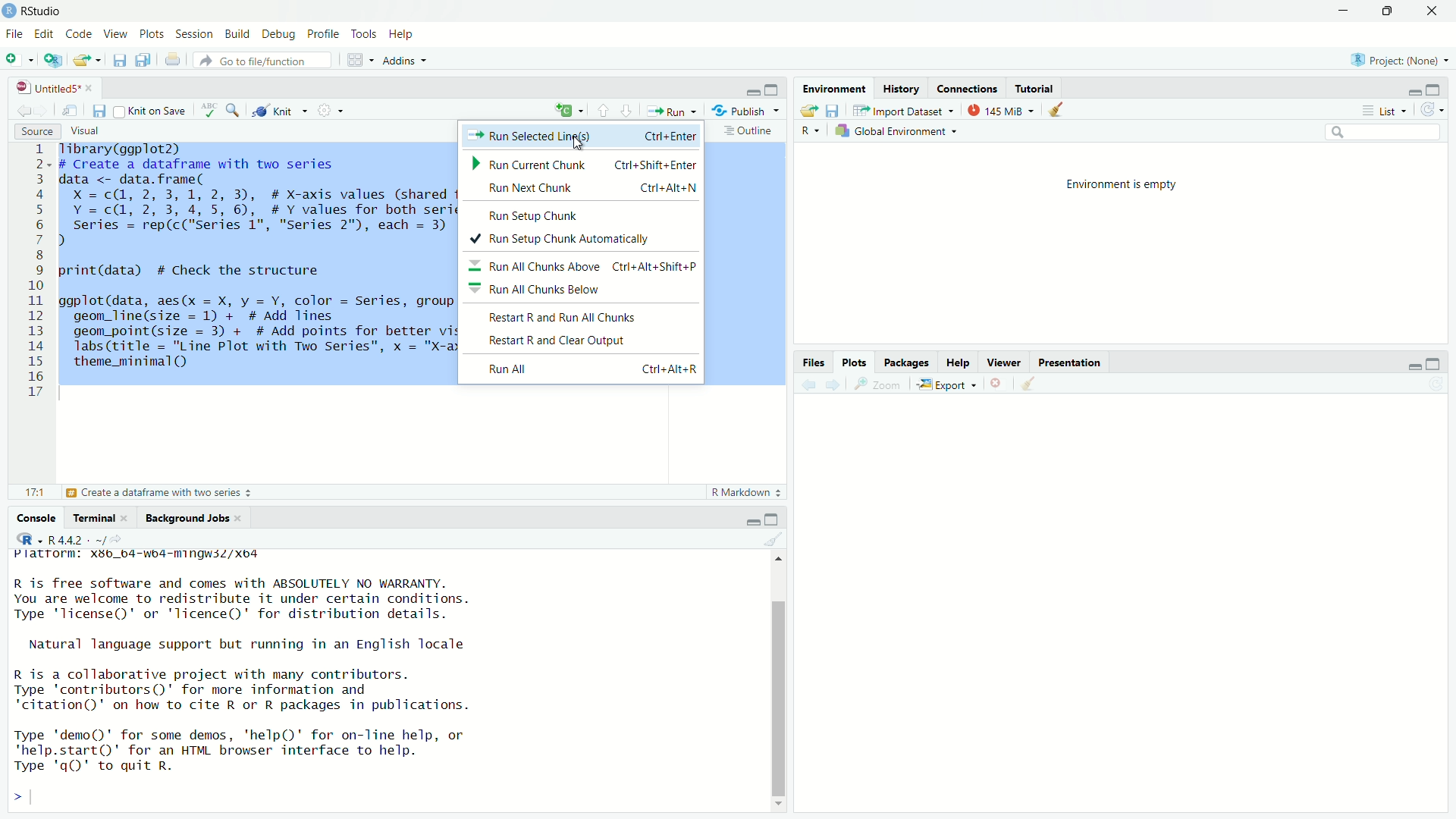  What do you see at coordinates (833, 384) in the screenshot?
I see `Go forward to the next source selection` at bounding box center [833, 384].